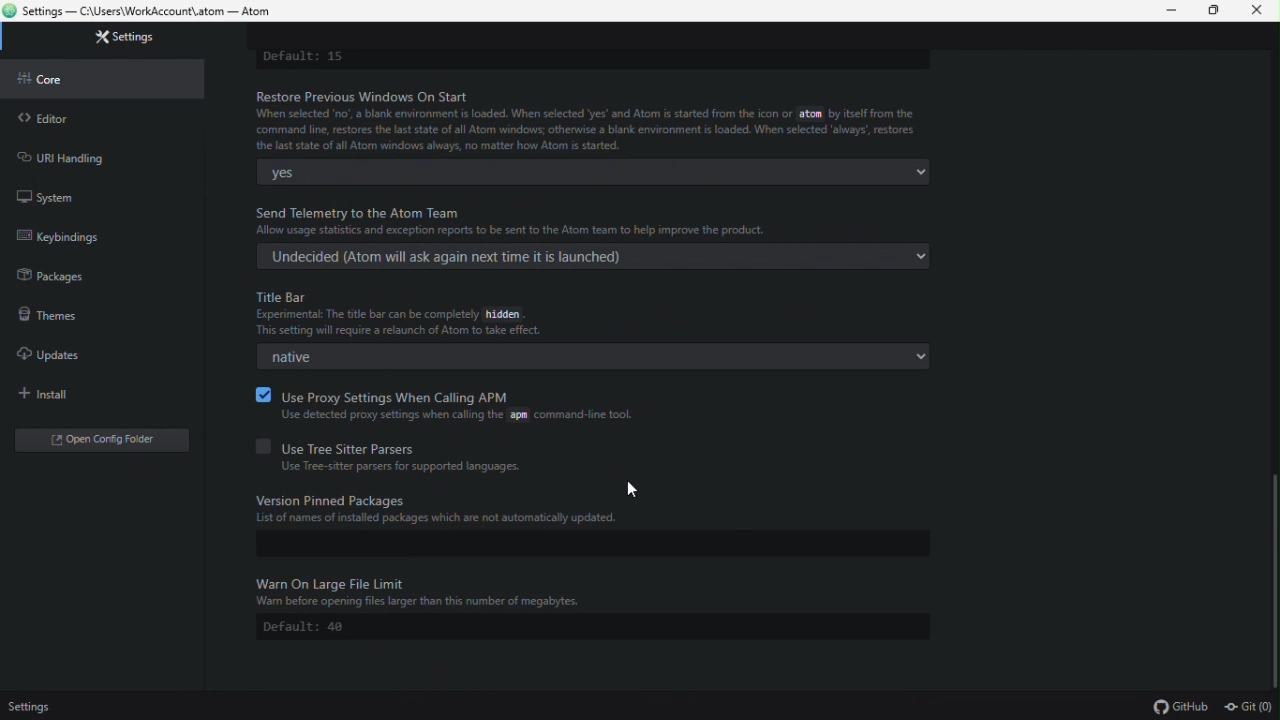 The image size is (1280, 720). Describe the element at coordinates (88, 443) in the screenshot. I see `open folder` at that location.